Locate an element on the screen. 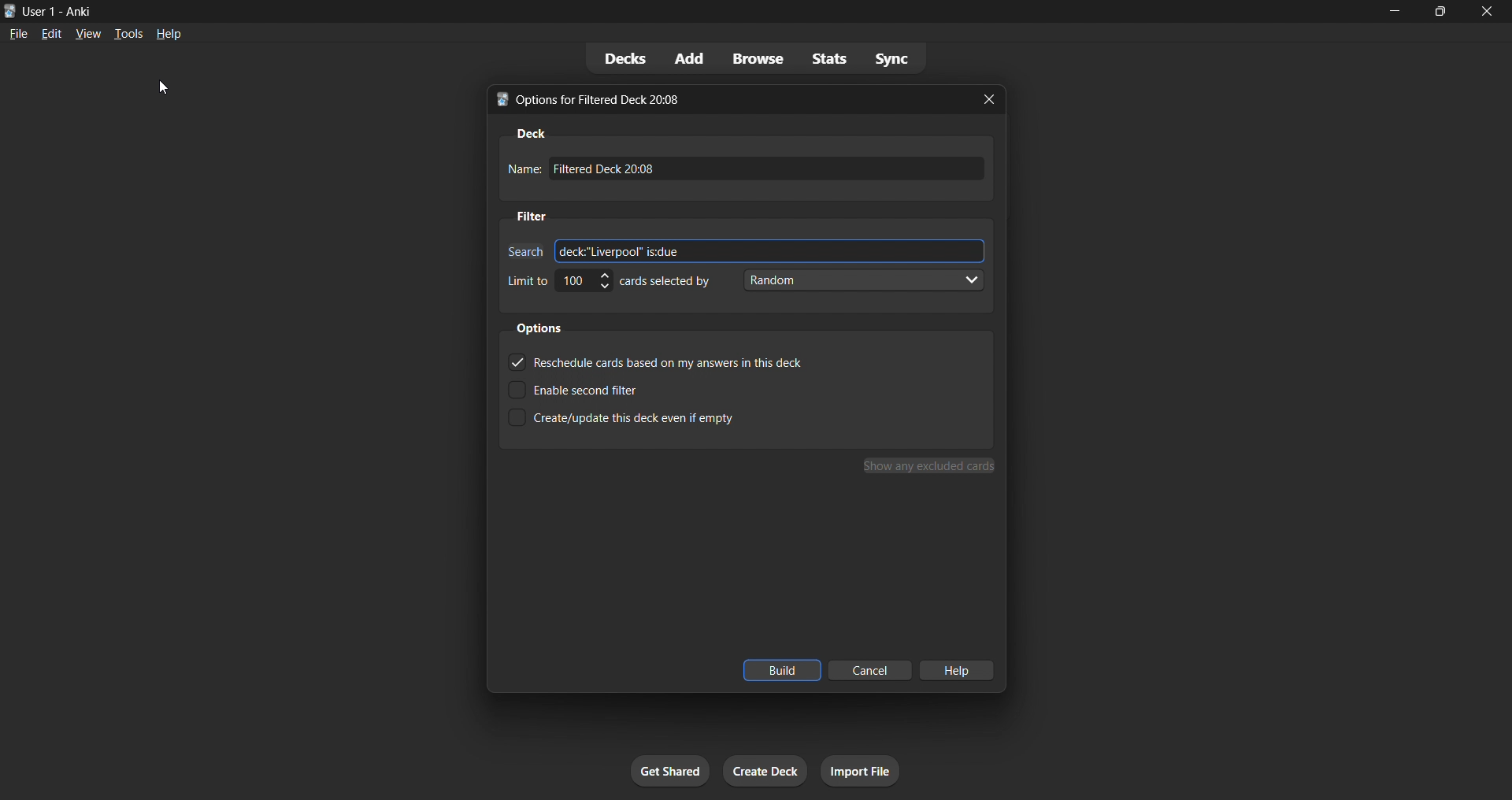 The image size is (1512, 800). stats is located at coordinates (830, 58).